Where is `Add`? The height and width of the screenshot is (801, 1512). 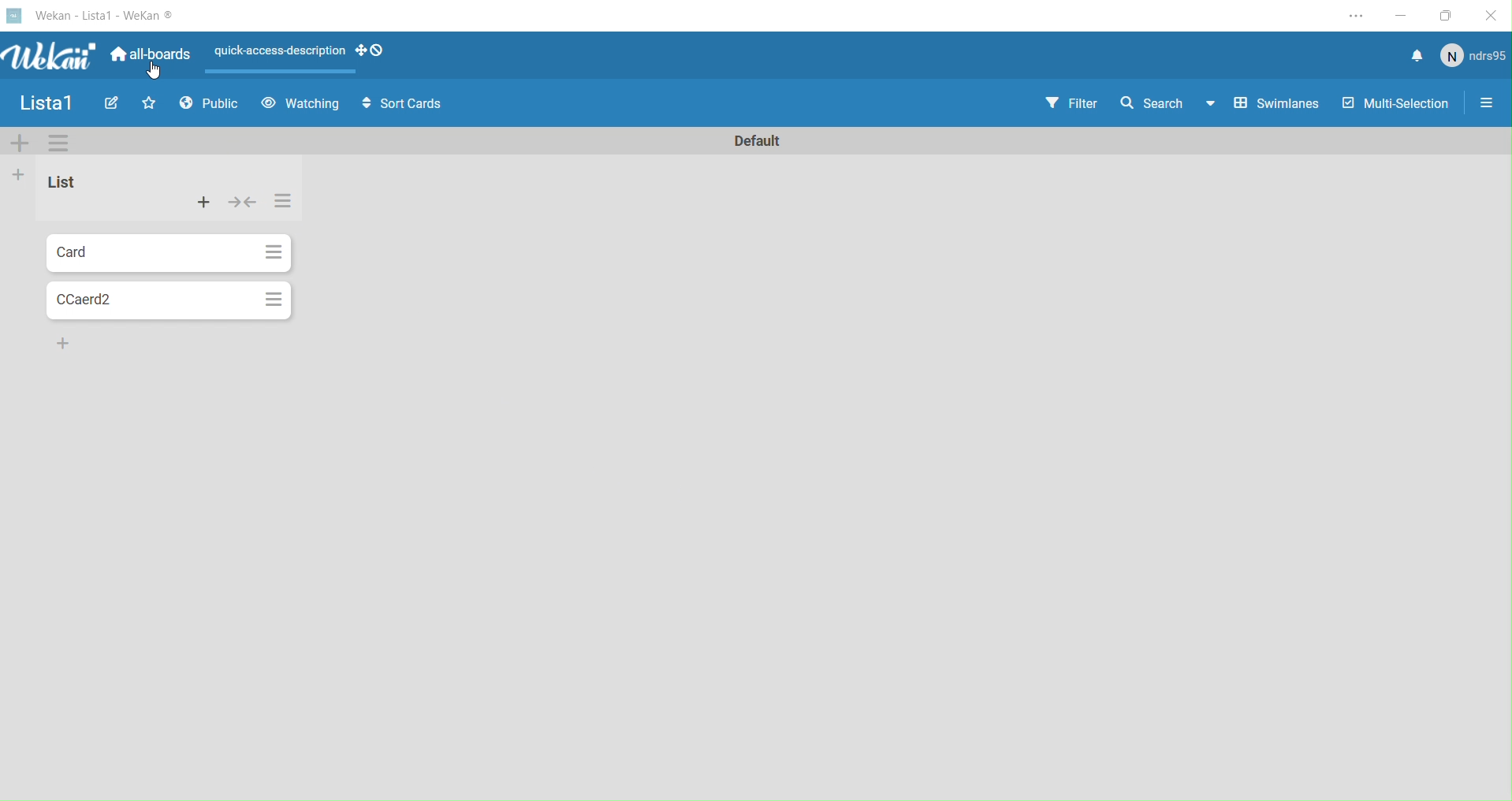
Add is located at coordinates (20, 147).